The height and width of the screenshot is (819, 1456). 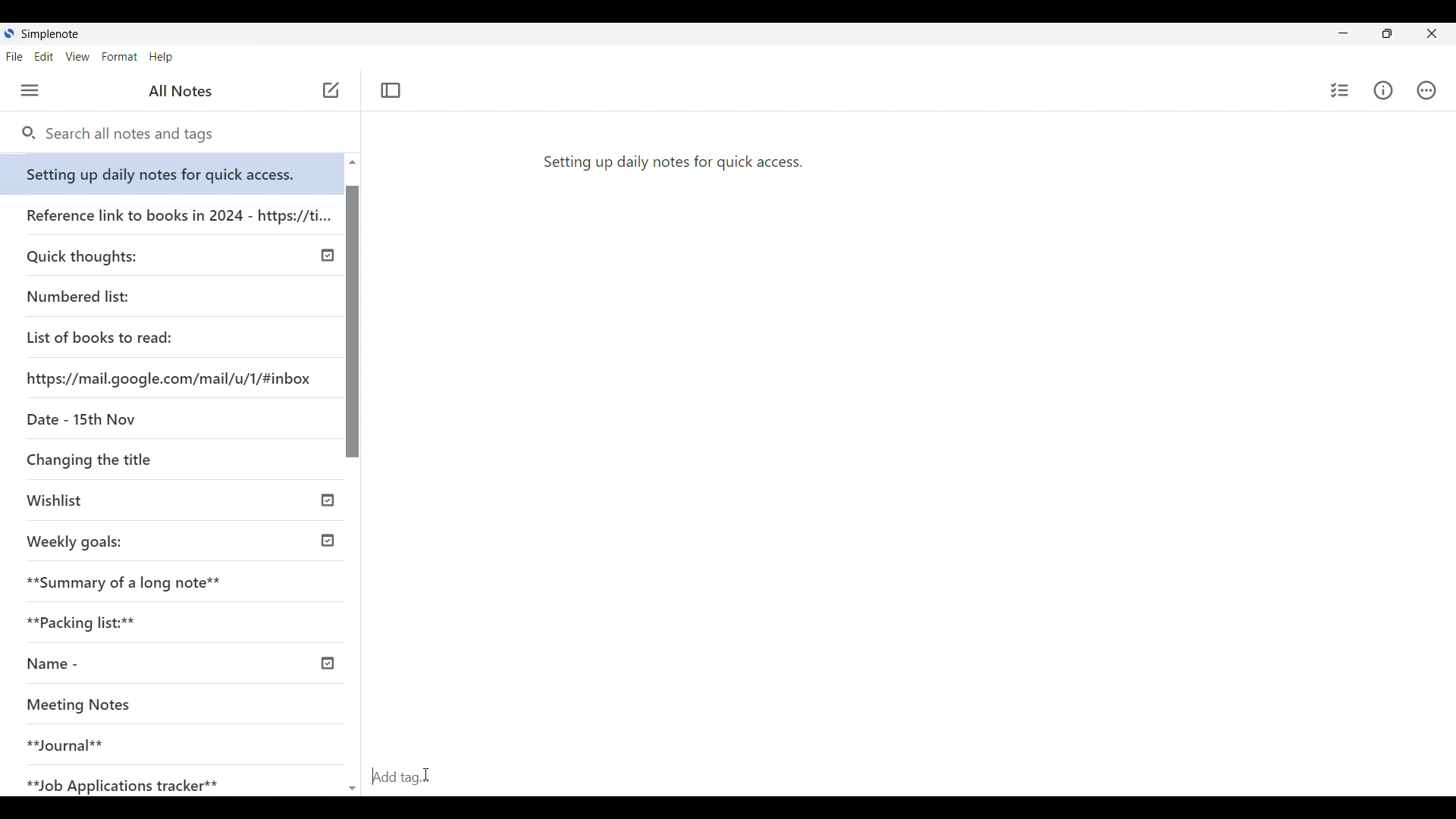 What do you see at coordinates (121, 293) in the screenshot?
I see `Numbered list` at bounding box center [121, 293].